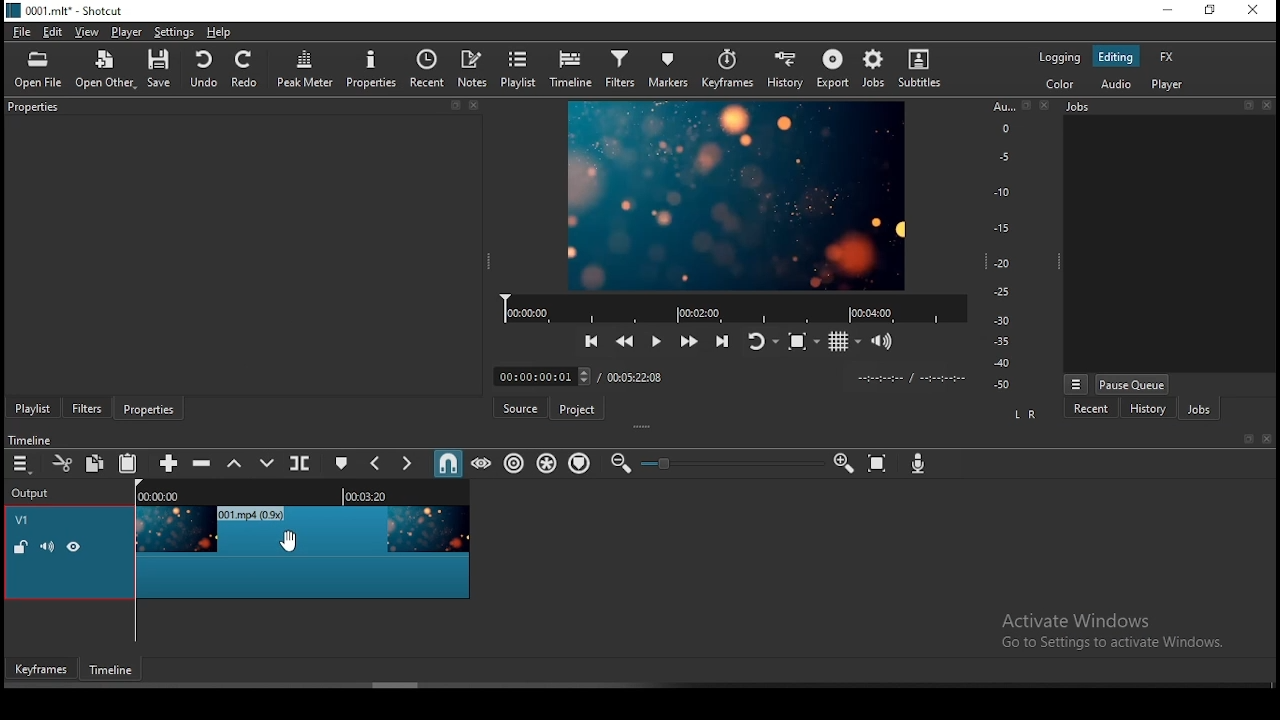  Describe the element at coordinates (65, 11) in the screenshot. I see `icon and file name` at that location.